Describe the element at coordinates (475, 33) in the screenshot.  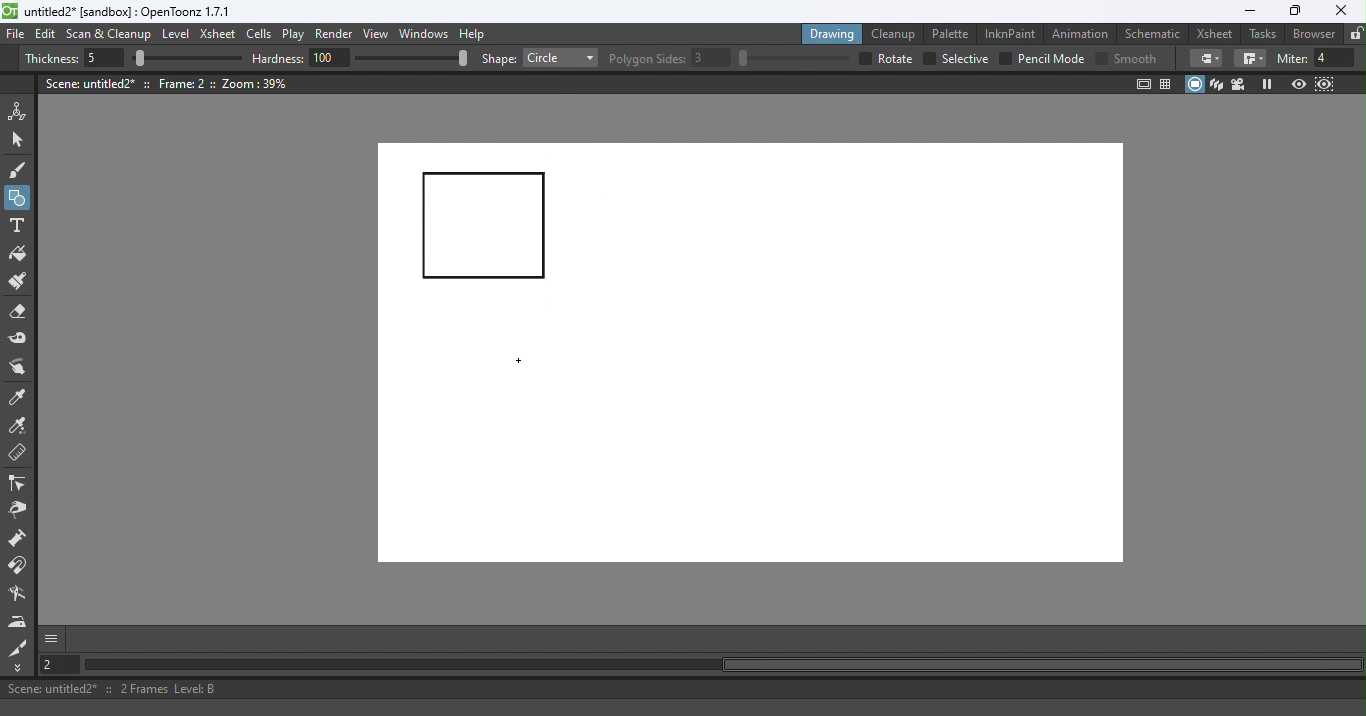
I see `Help` at that location.